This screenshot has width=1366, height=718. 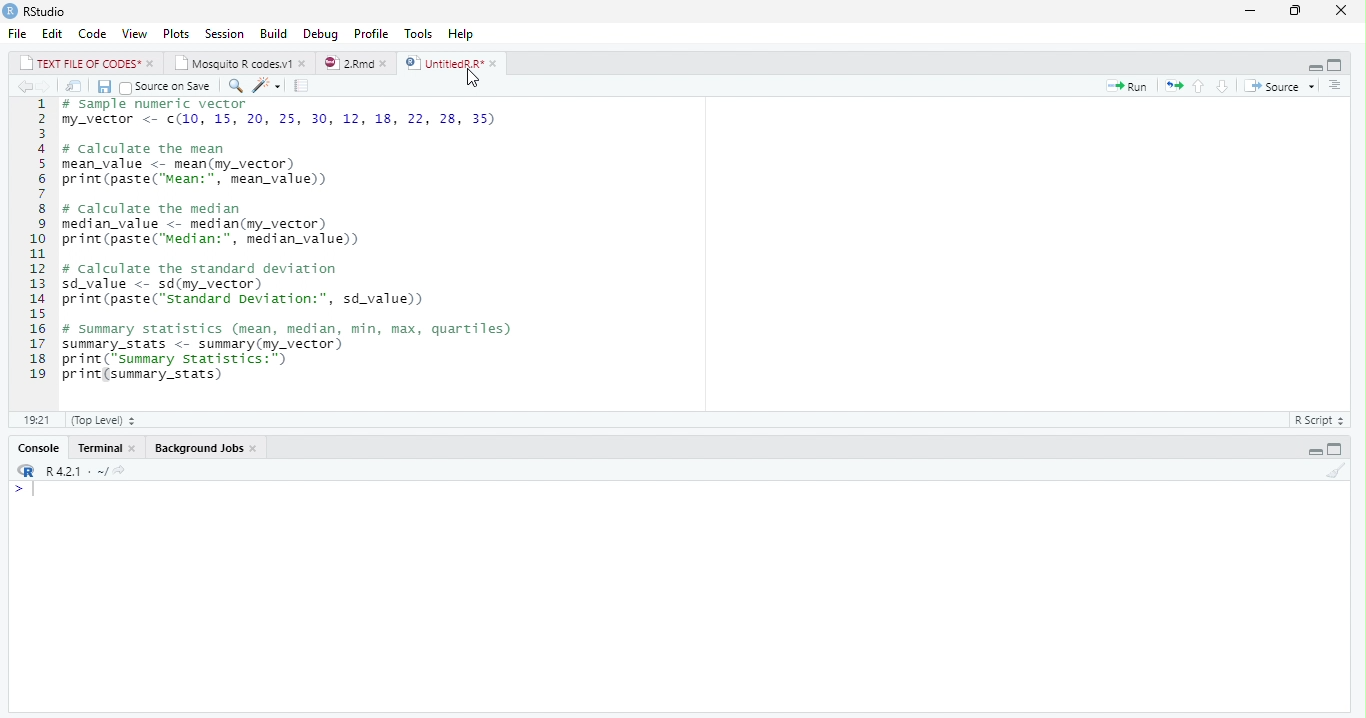 I want to click on # Sample numeric vector my_vector <- c(10, 15, 20, 25, 30, 12, 18, 22, 28, 35)# Calculate the meannean_value <- mean (my_vector)print (paste("Mean:", mean_value))# Calculate the mediannedian_value <- median(ny_vector)print (paste("Median:”, median_value))# Calculate the standard deviationsd_value <- sd(my_vector)print (paste("standard Deviation:", sd_value))# summary statistics (mean, median, min, max, quartiles)summary_stats <- summary (my_vector)print (“Summary statistics: )print (sunmary_stats), so click(x=290, y=244).